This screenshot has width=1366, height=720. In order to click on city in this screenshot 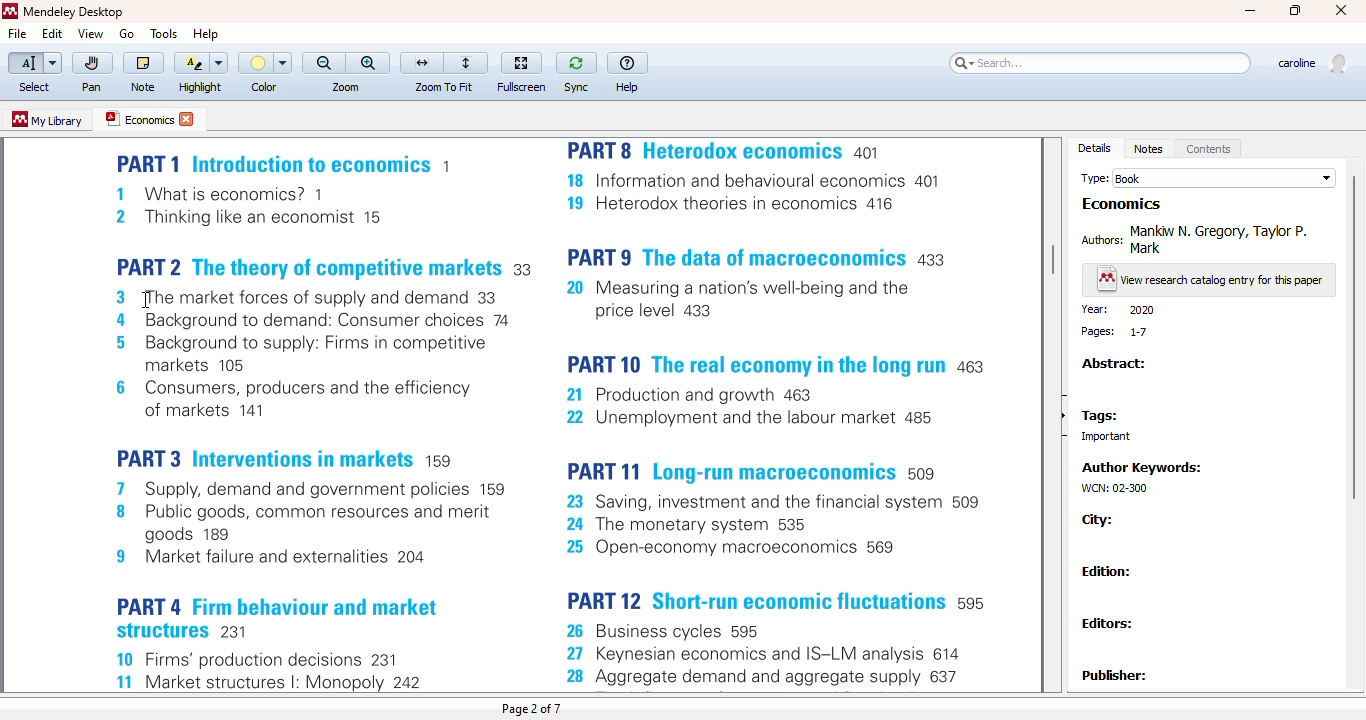, I will do `click(1098, 520)`.